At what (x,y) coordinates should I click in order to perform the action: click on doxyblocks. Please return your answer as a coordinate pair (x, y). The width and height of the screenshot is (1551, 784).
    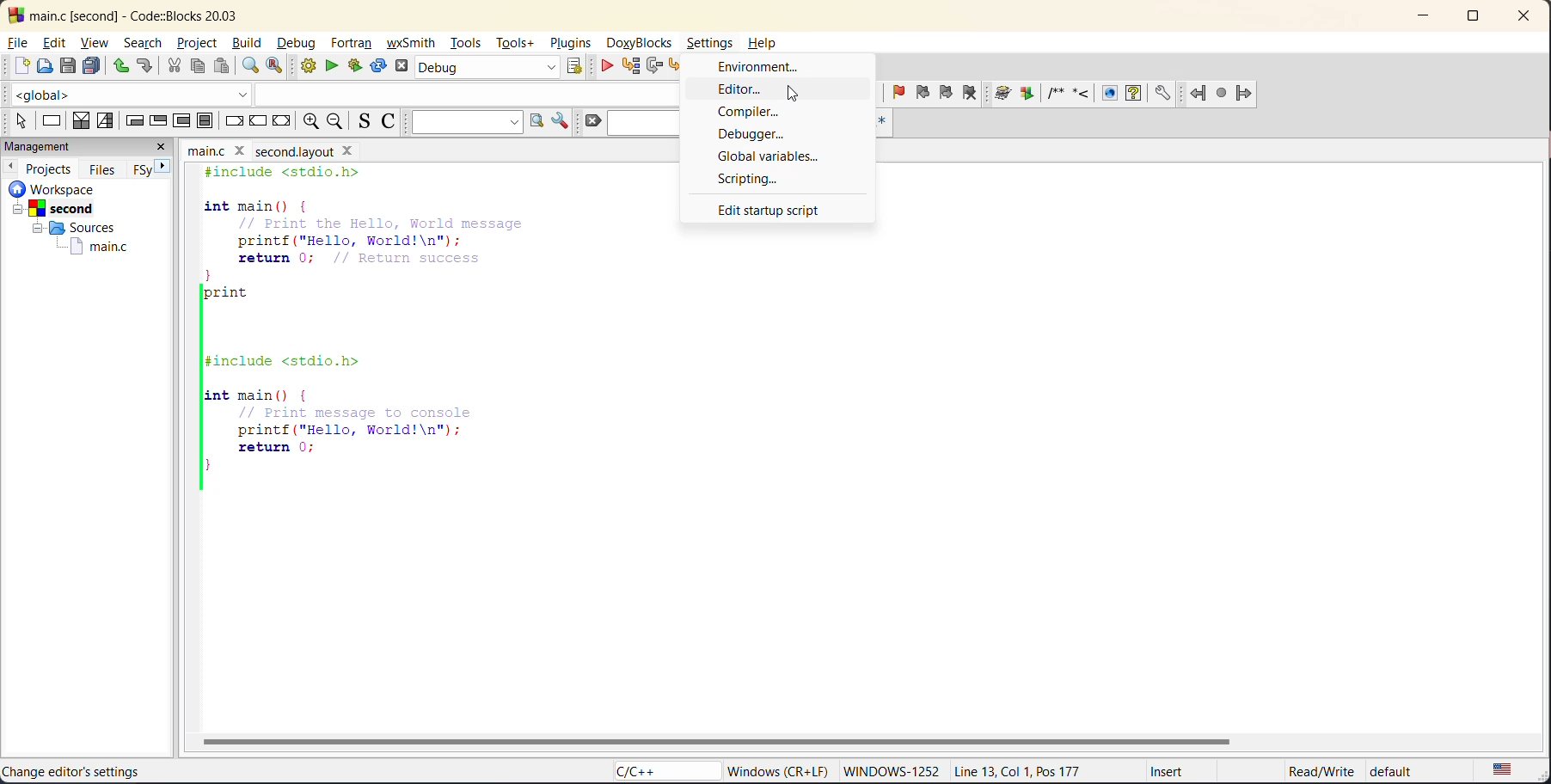
    Looking at the image, I should click on (640, 42).